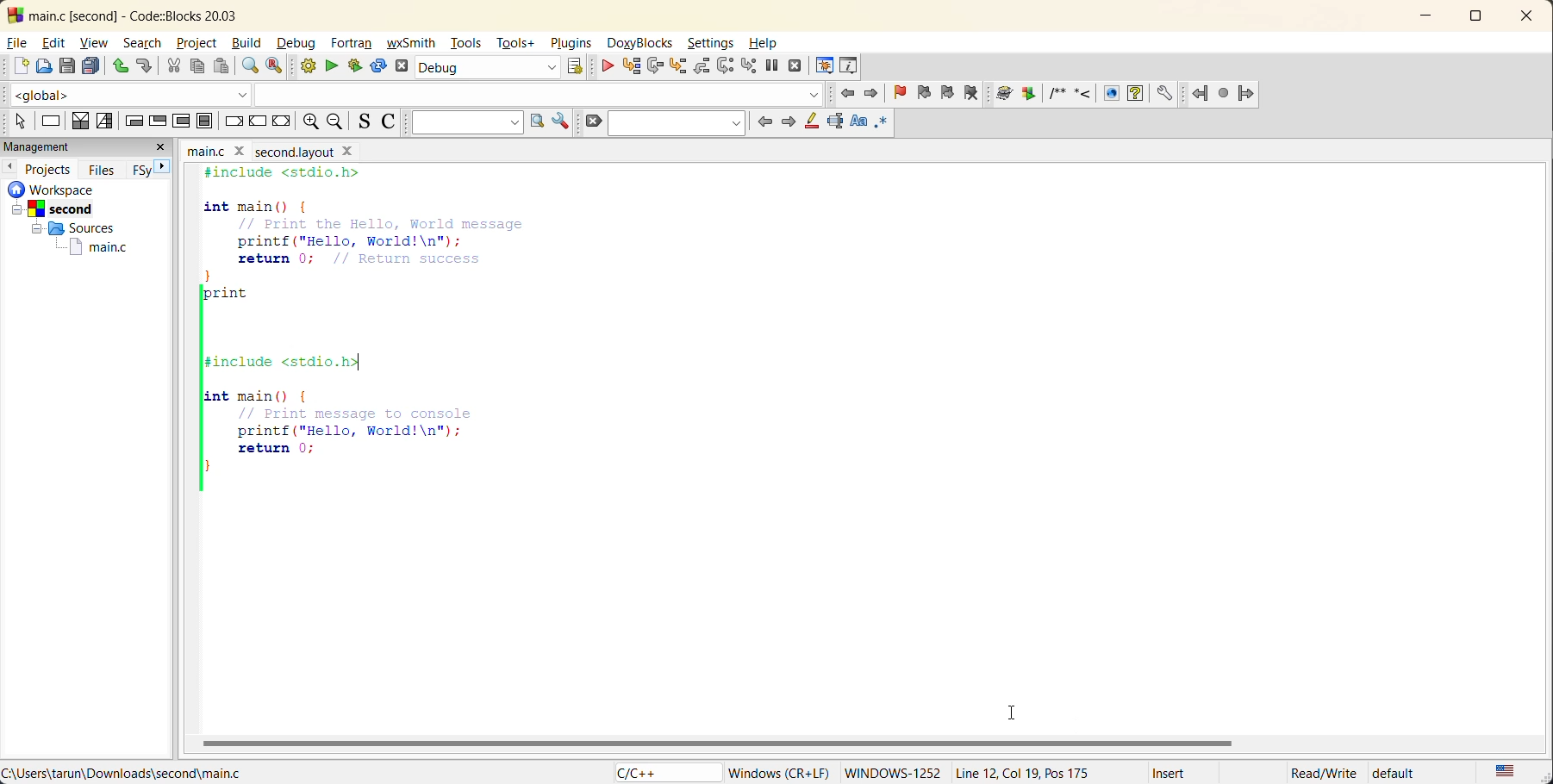 This screenshot has width=1553, height=784. I want to click on , so click(70, 227).